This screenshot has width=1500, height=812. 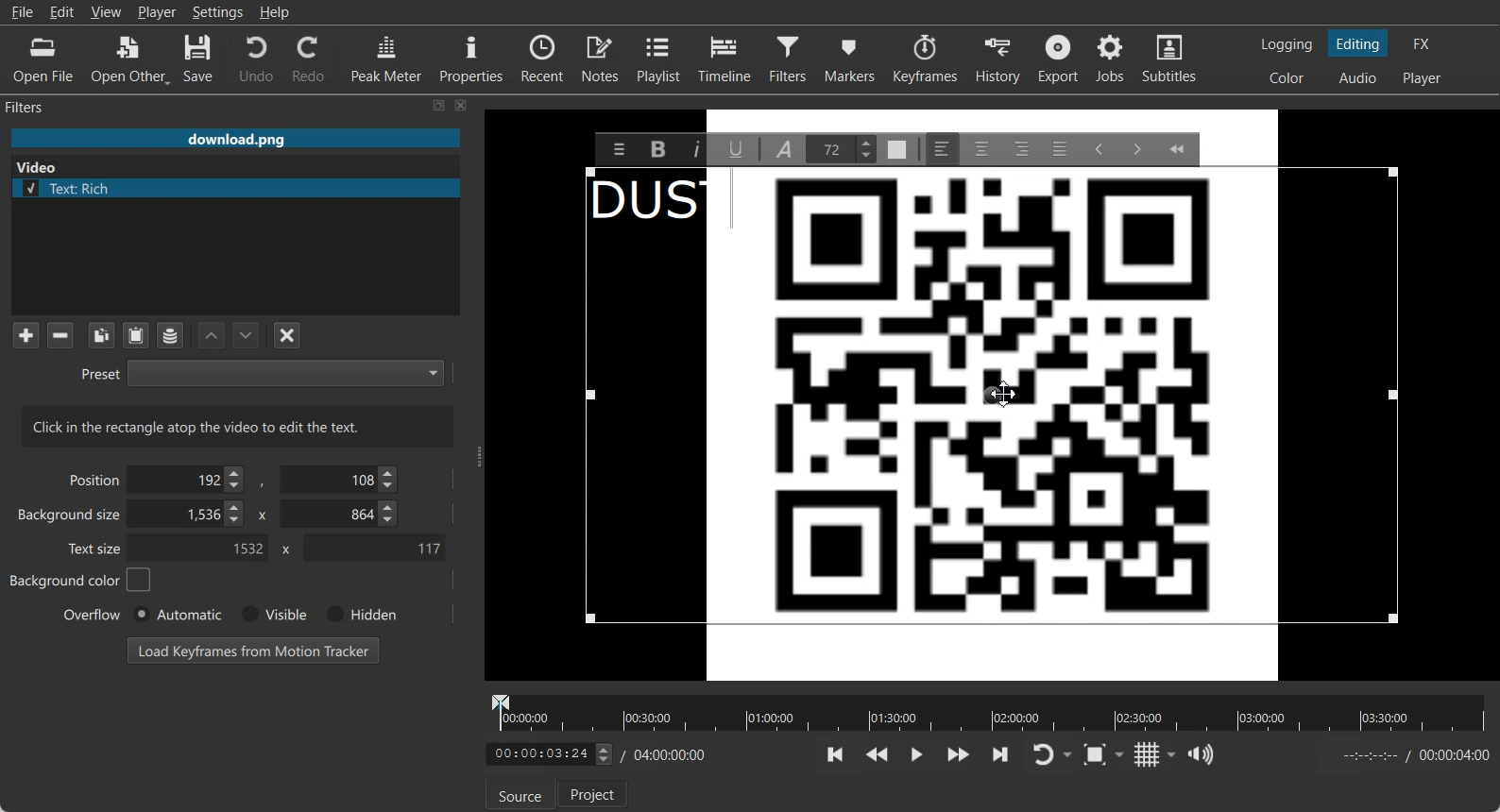 I want to click on Left, so click(x=942, y=148).